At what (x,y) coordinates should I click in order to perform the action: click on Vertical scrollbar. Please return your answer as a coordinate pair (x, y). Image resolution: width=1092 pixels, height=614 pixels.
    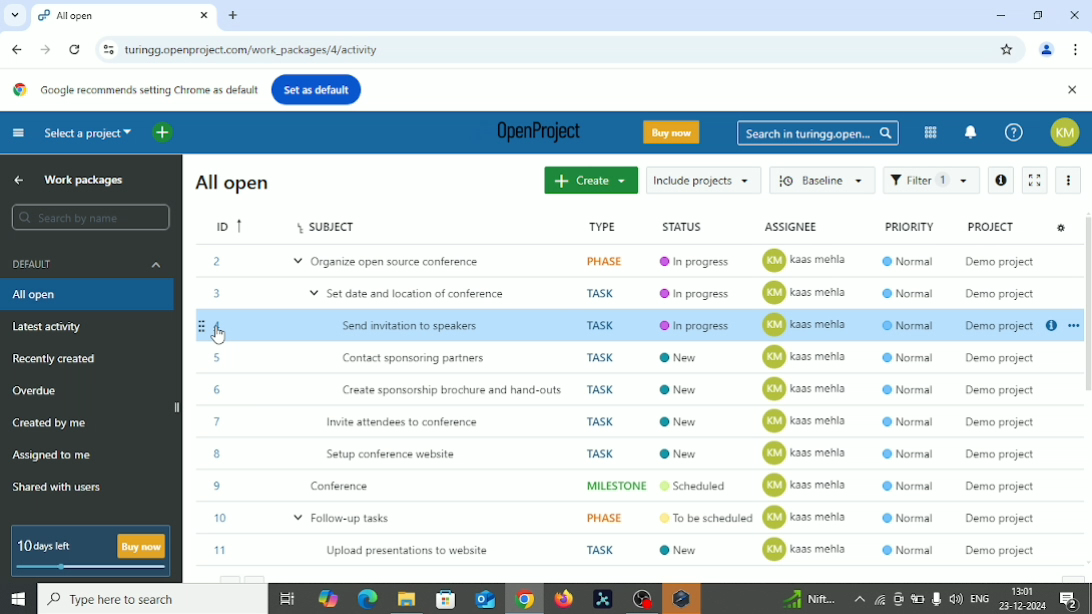
    Looking at the image, I should click on (1085, 311).